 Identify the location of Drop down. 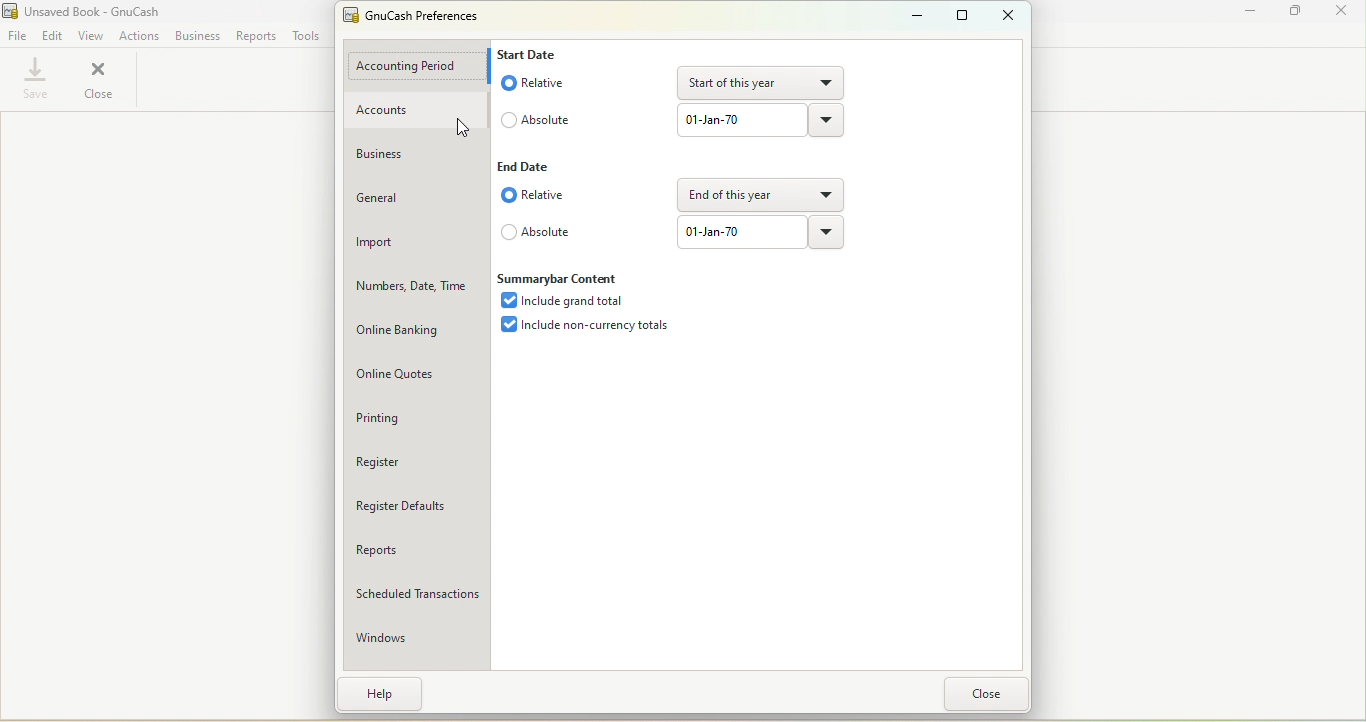
(828, 194).